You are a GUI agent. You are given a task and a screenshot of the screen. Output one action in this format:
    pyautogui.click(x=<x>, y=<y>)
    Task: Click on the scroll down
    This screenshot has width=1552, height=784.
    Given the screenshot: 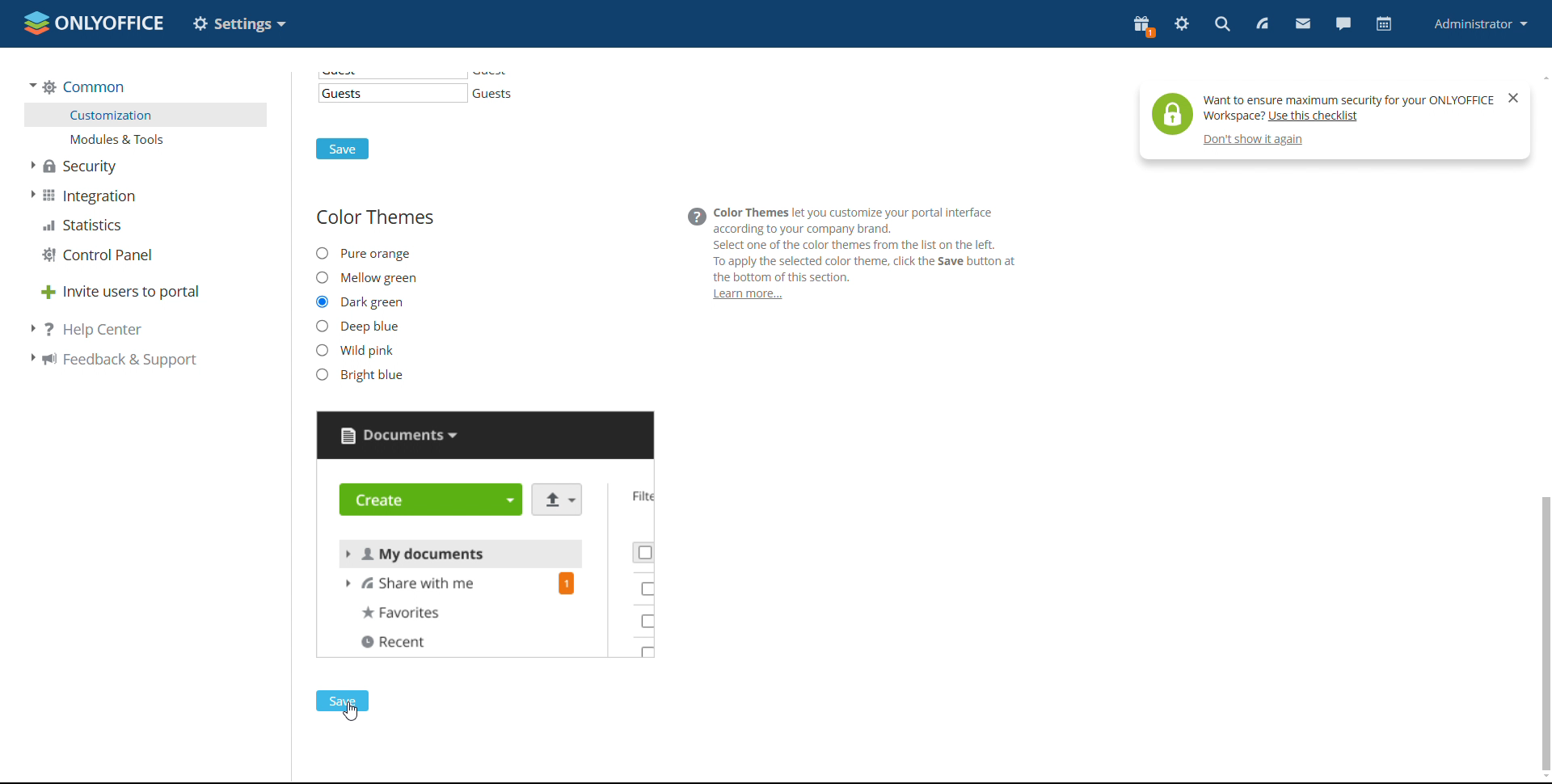 What is the action you would take?
    pyautogui.click(x=1542, y=778)
    